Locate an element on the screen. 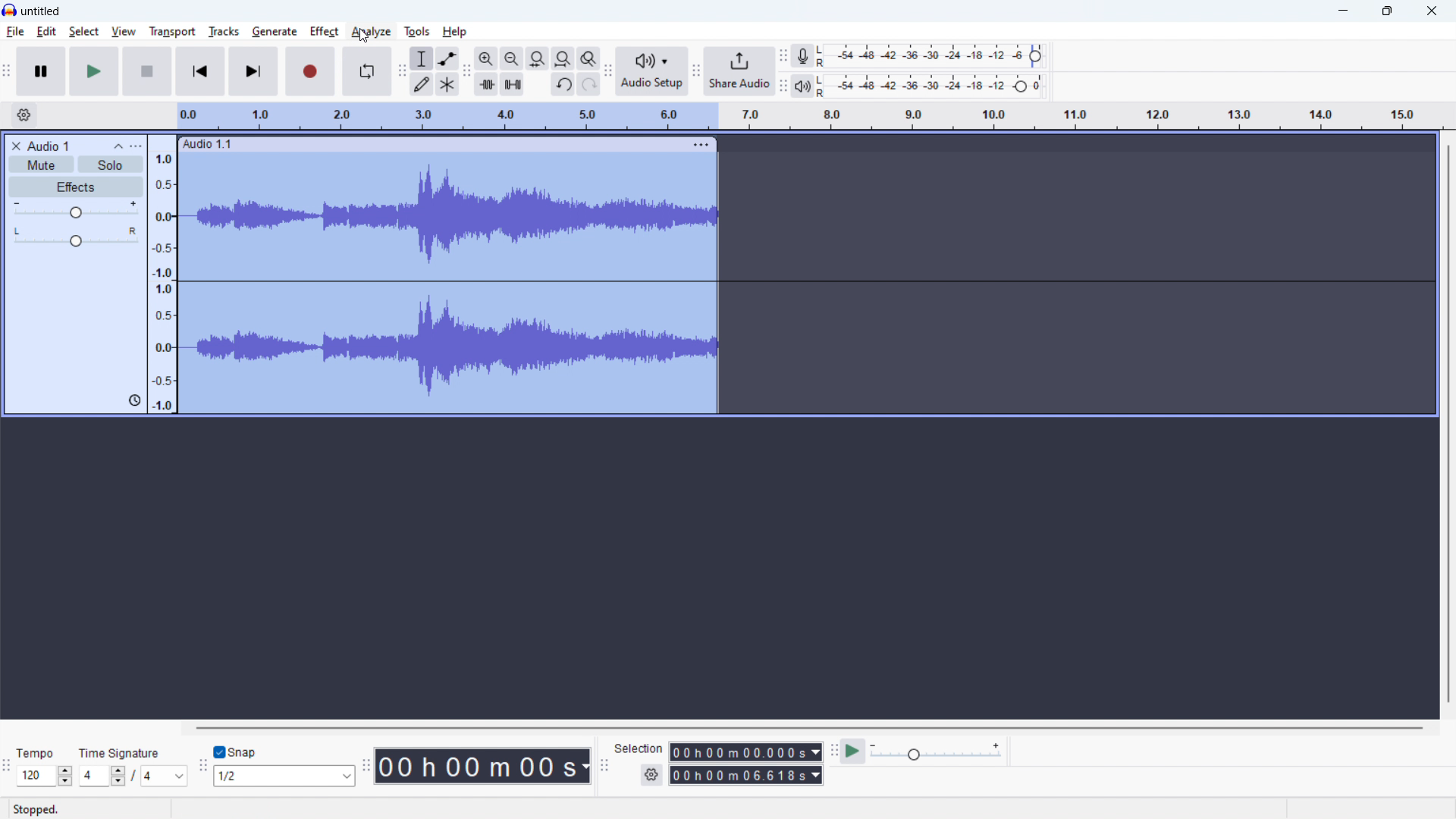 This screenshot has height=819, width=1456. draw tool is located at coordinates (422, 83).